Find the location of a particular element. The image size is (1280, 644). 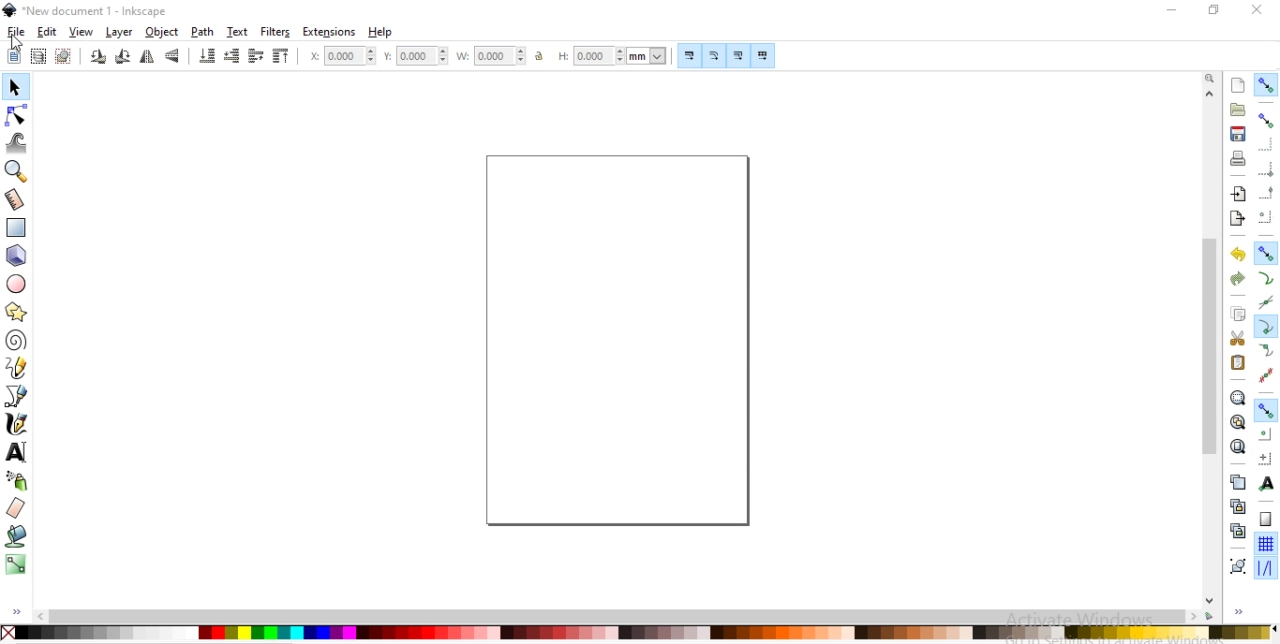

create circles, arcs and ellipses is located at coordinates (18, 285).